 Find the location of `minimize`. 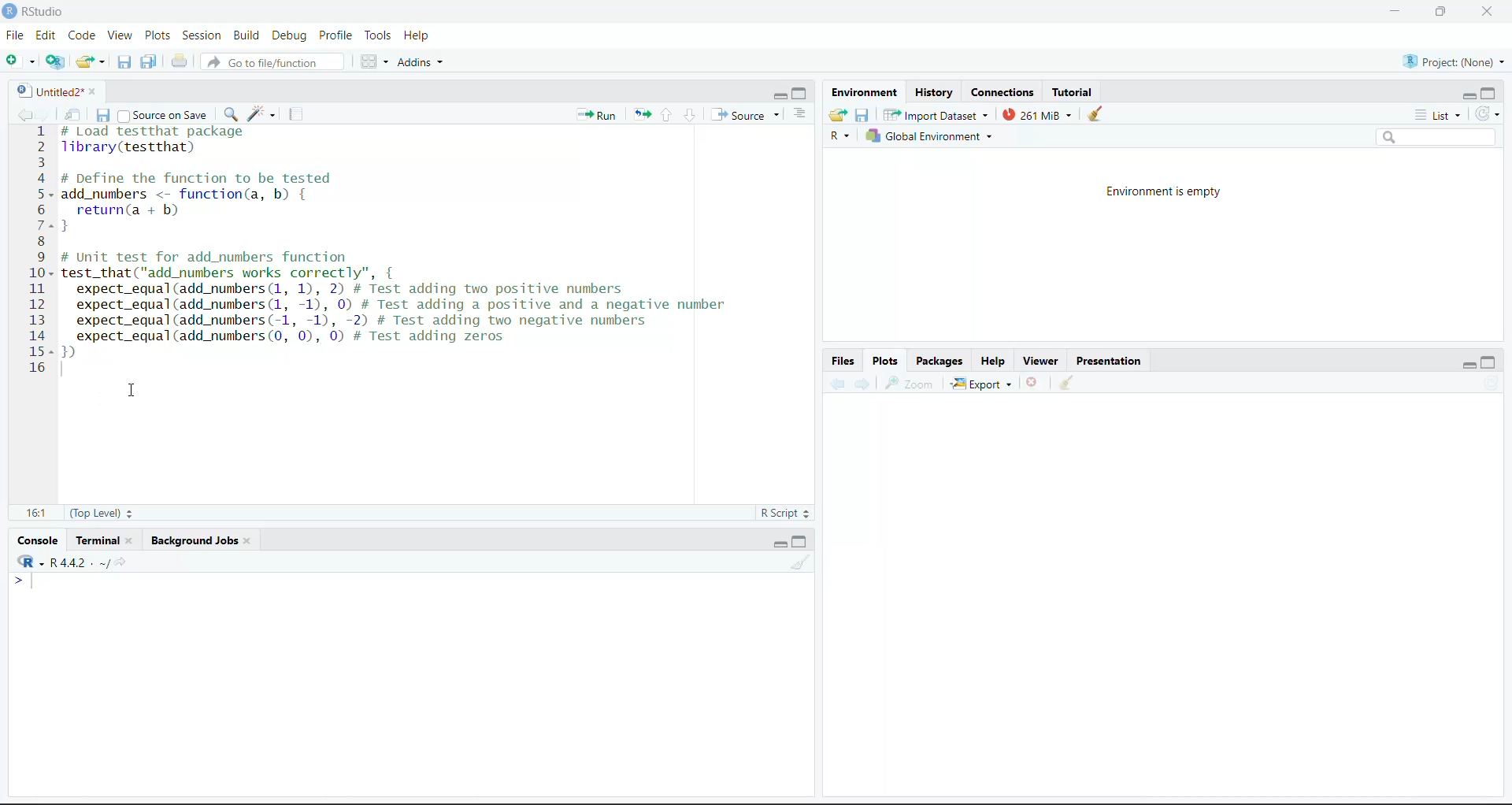

minimize is located at coordinates (1395, 11).